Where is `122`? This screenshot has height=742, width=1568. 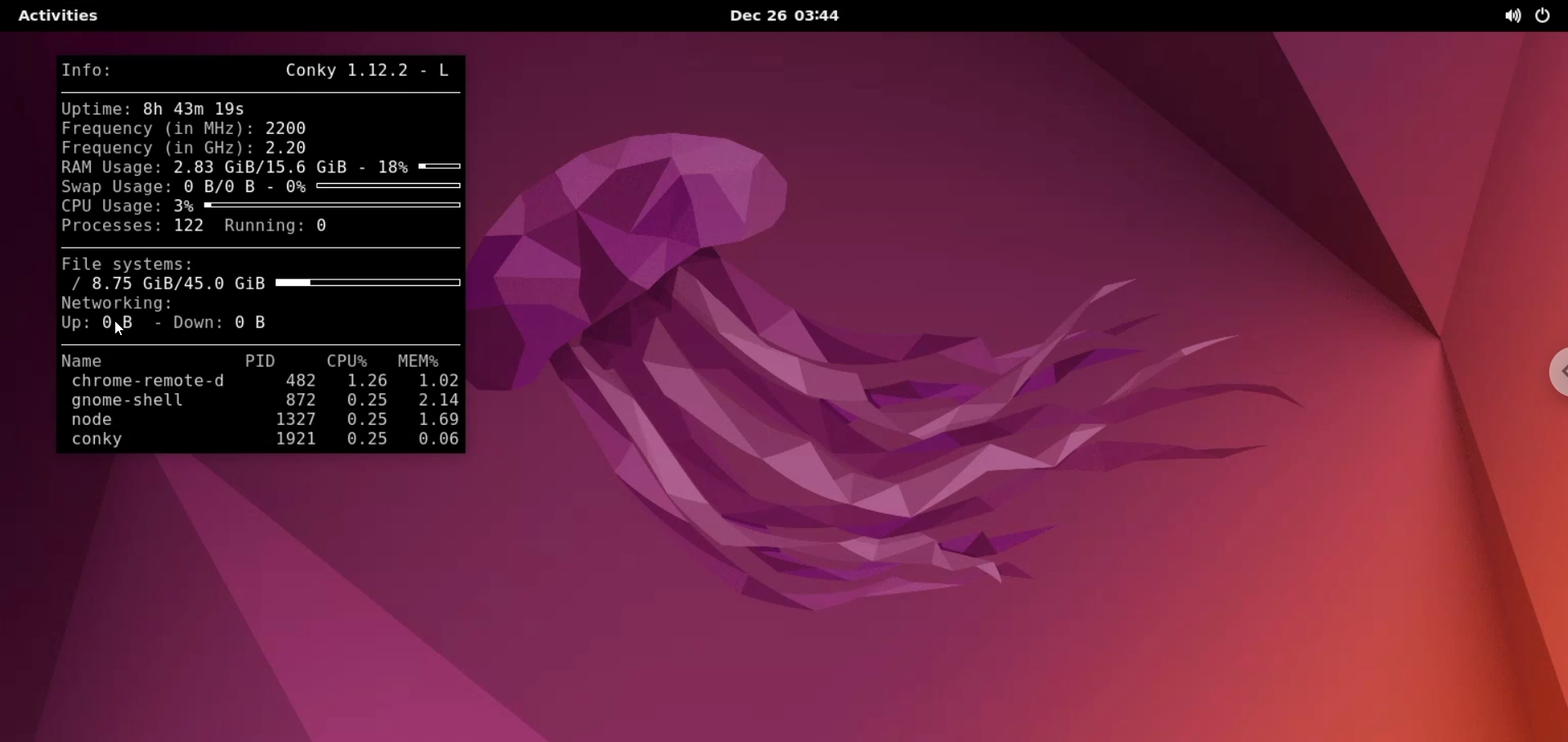
122 is located at coordinates (191, 226).